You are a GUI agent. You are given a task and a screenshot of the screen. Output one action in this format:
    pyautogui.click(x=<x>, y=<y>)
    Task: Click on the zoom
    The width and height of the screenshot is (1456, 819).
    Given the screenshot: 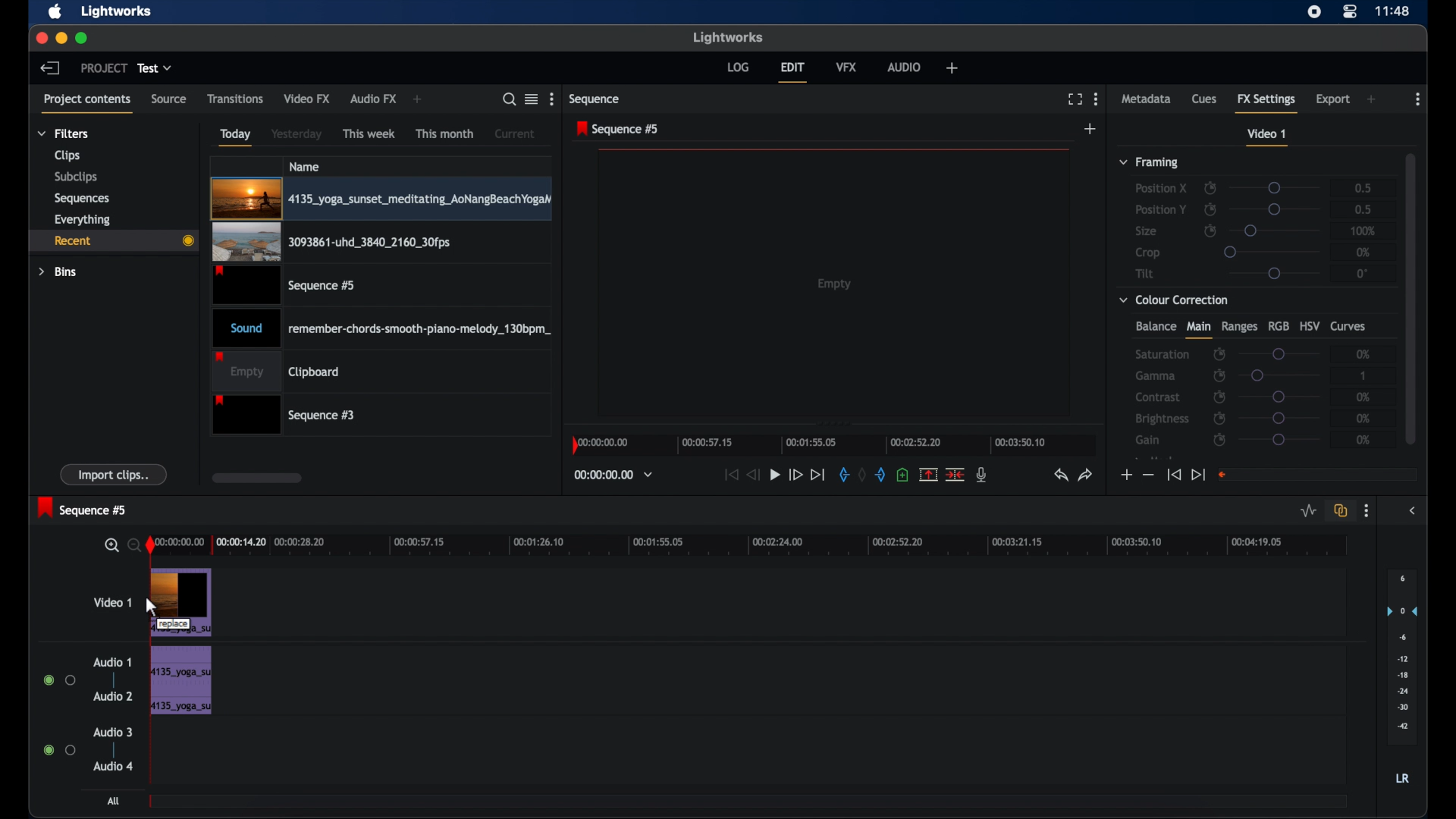 What is the action you would take?
    pyautogui.click(x=120, y=544)
    